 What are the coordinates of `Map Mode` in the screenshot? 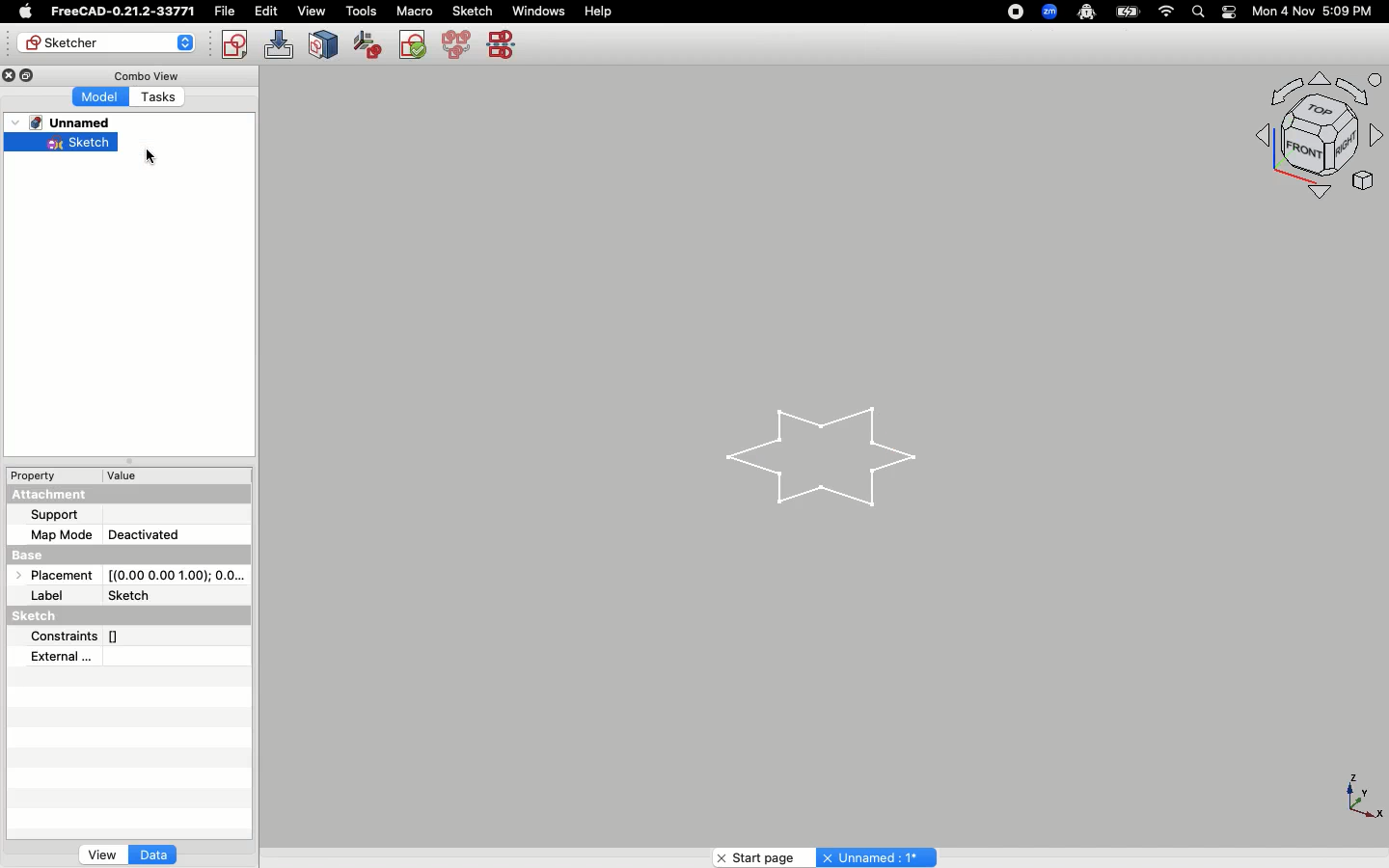 It's located at (61, 533).